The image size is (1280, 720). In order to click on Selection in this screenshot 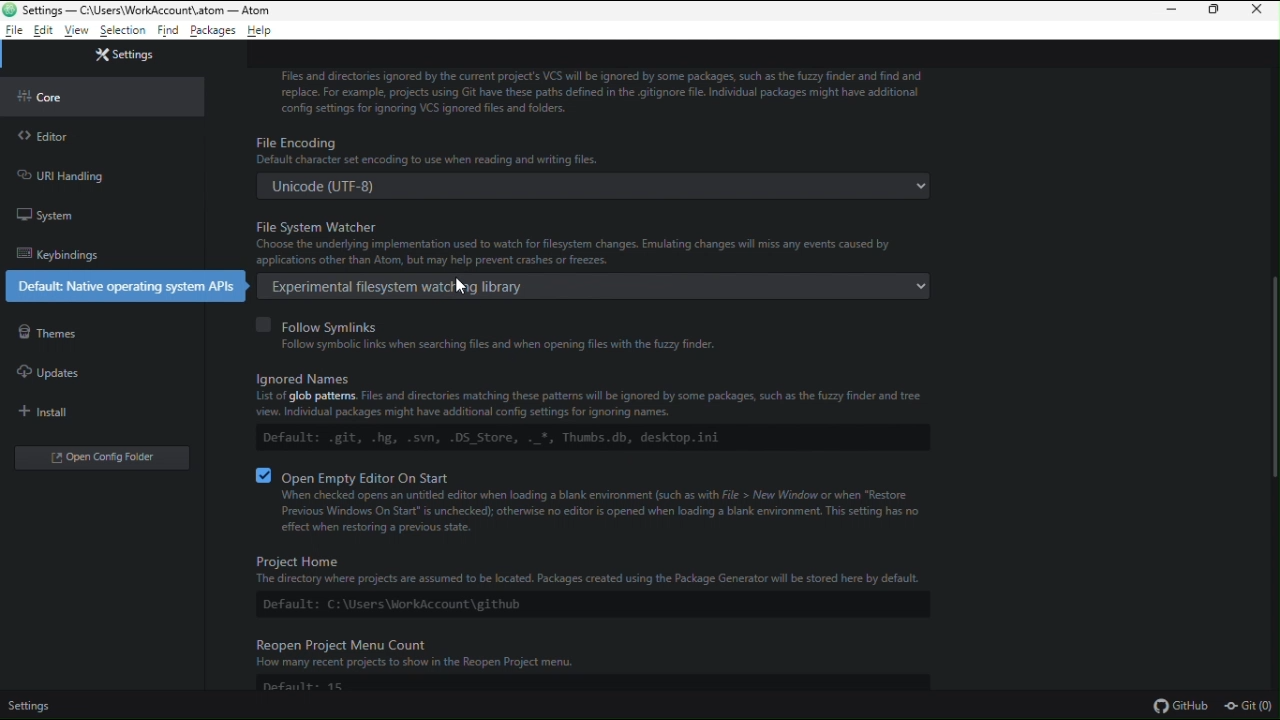, I will do `click(123, 32)`.